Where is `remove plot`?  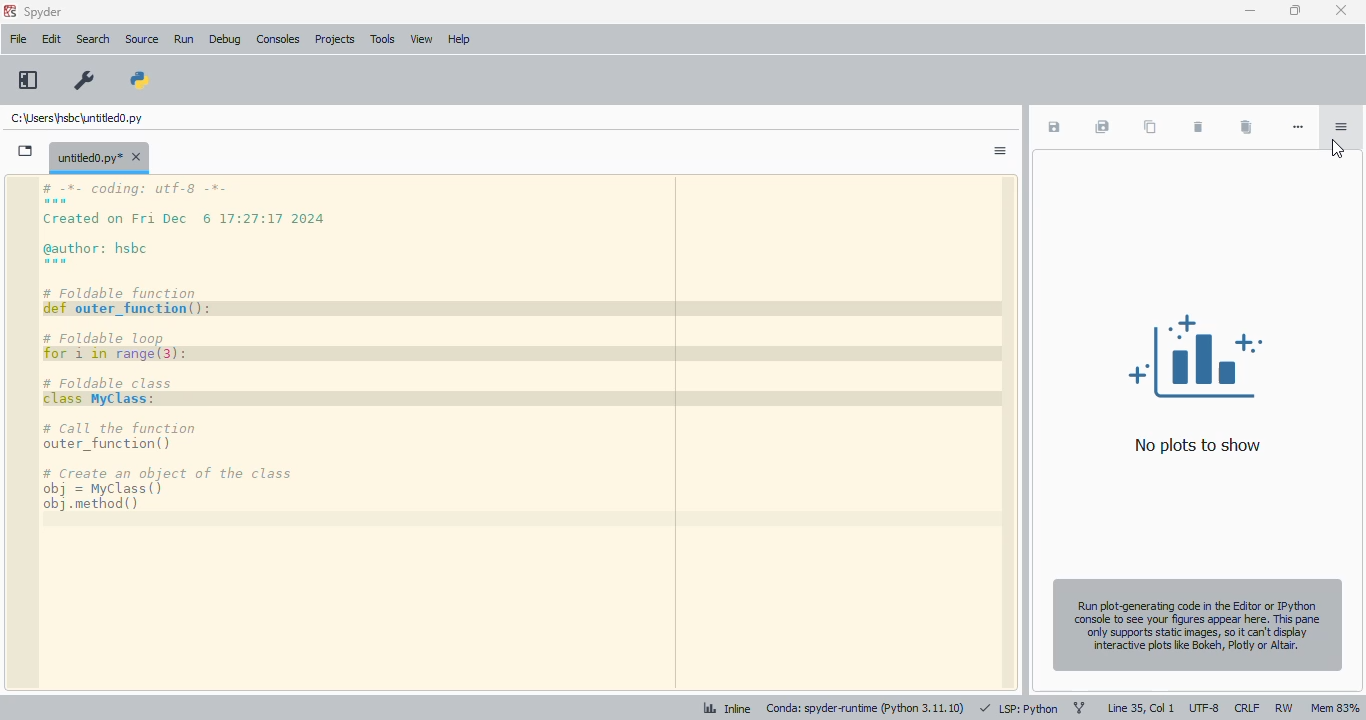
remove plot is located at coordinates (1197, 128).